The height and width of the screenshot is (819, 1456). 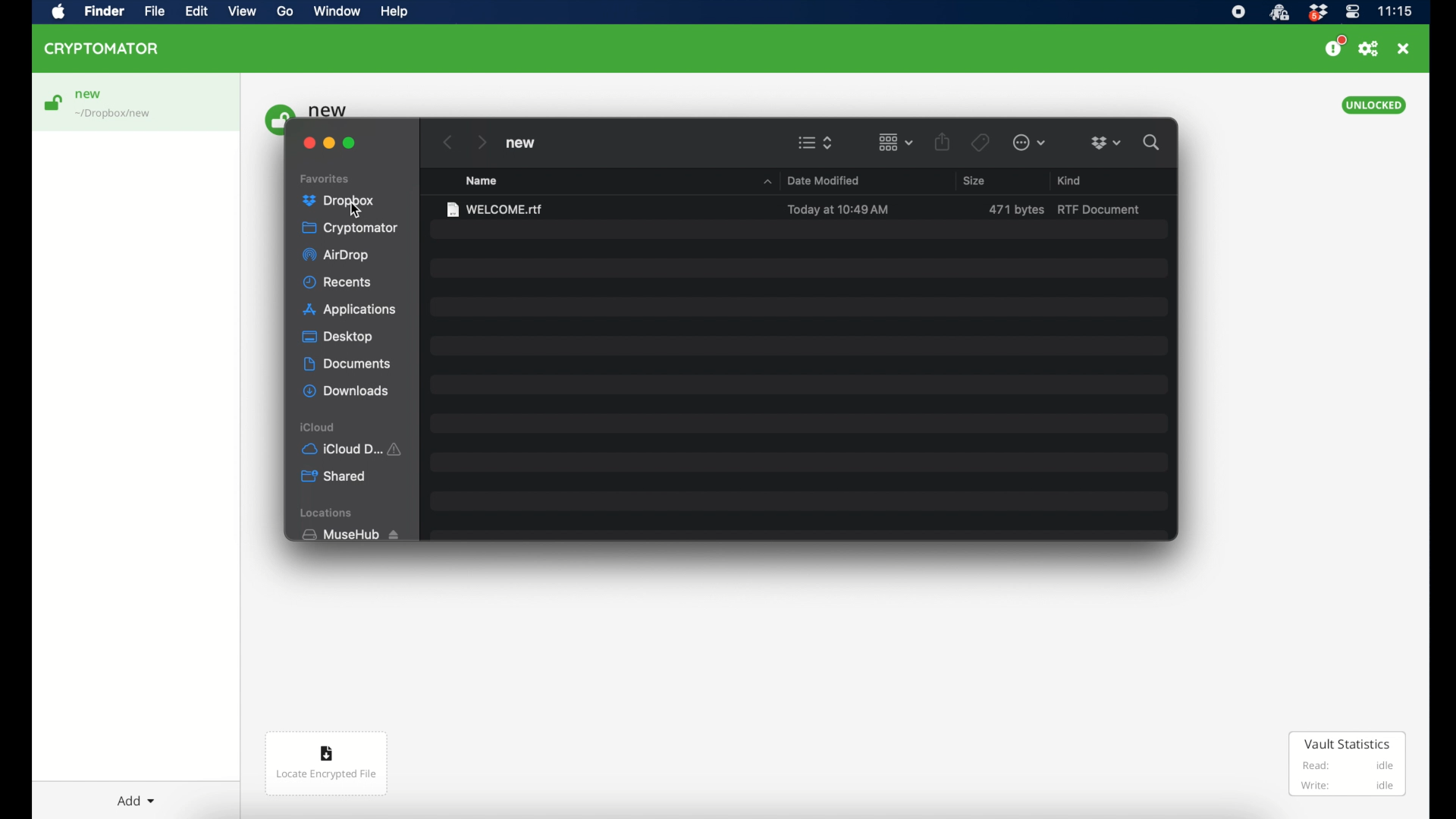 I want to click on control center, so click(x=1353, y=12).